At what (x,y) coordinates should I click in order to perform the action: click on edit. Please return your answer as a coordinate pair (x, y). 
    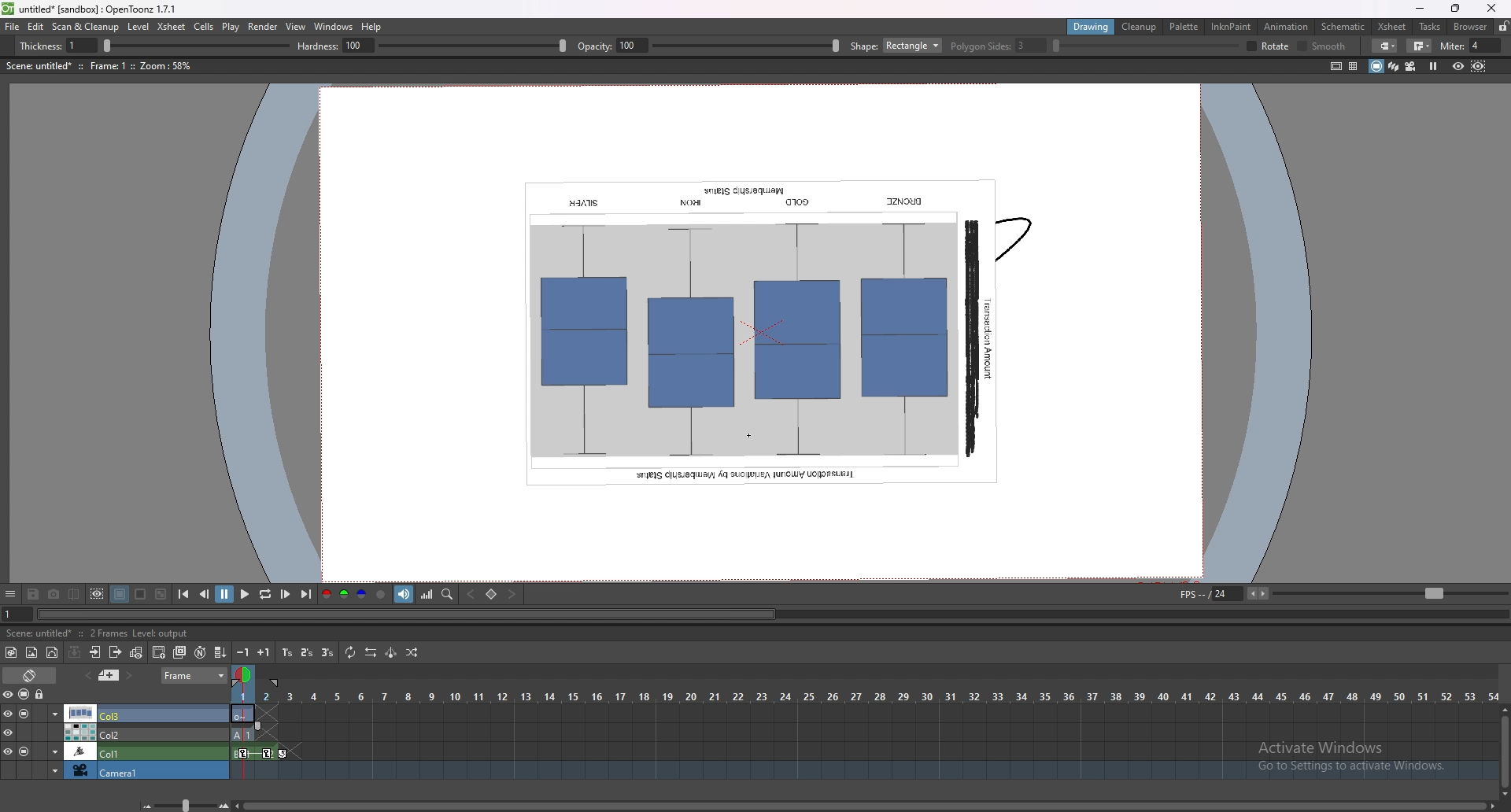
    Looking at the image, I should click on (36, 26).